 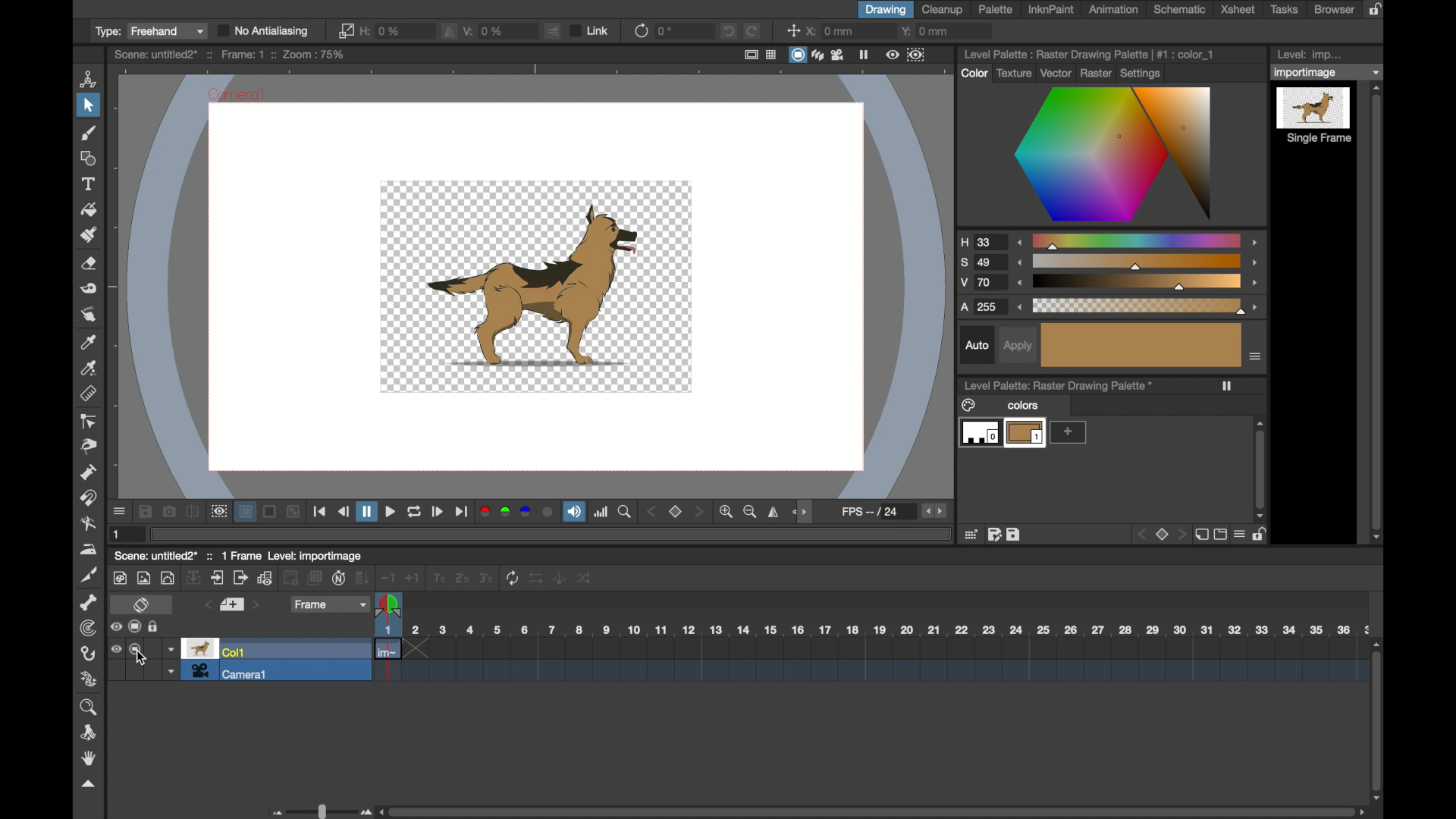 I want to click on graph, so click(x=265, y=578).